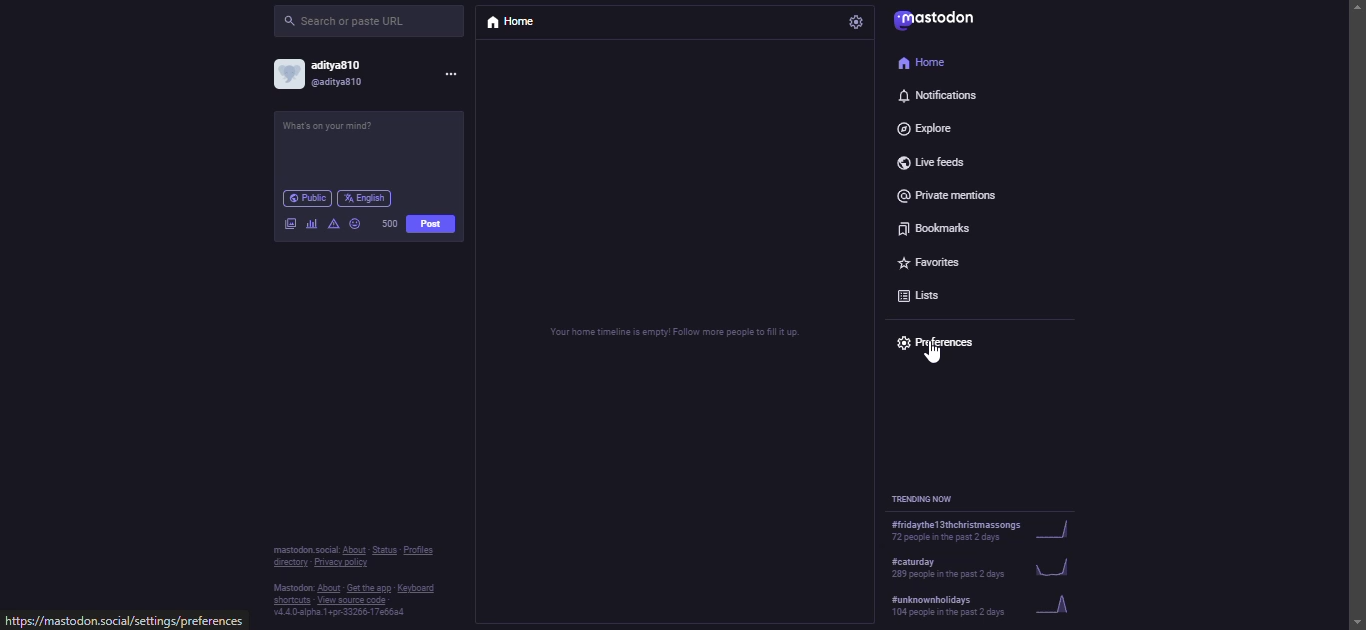 This screenshot has width=1366, height=630. I want to click on explore, so click(927, 128).